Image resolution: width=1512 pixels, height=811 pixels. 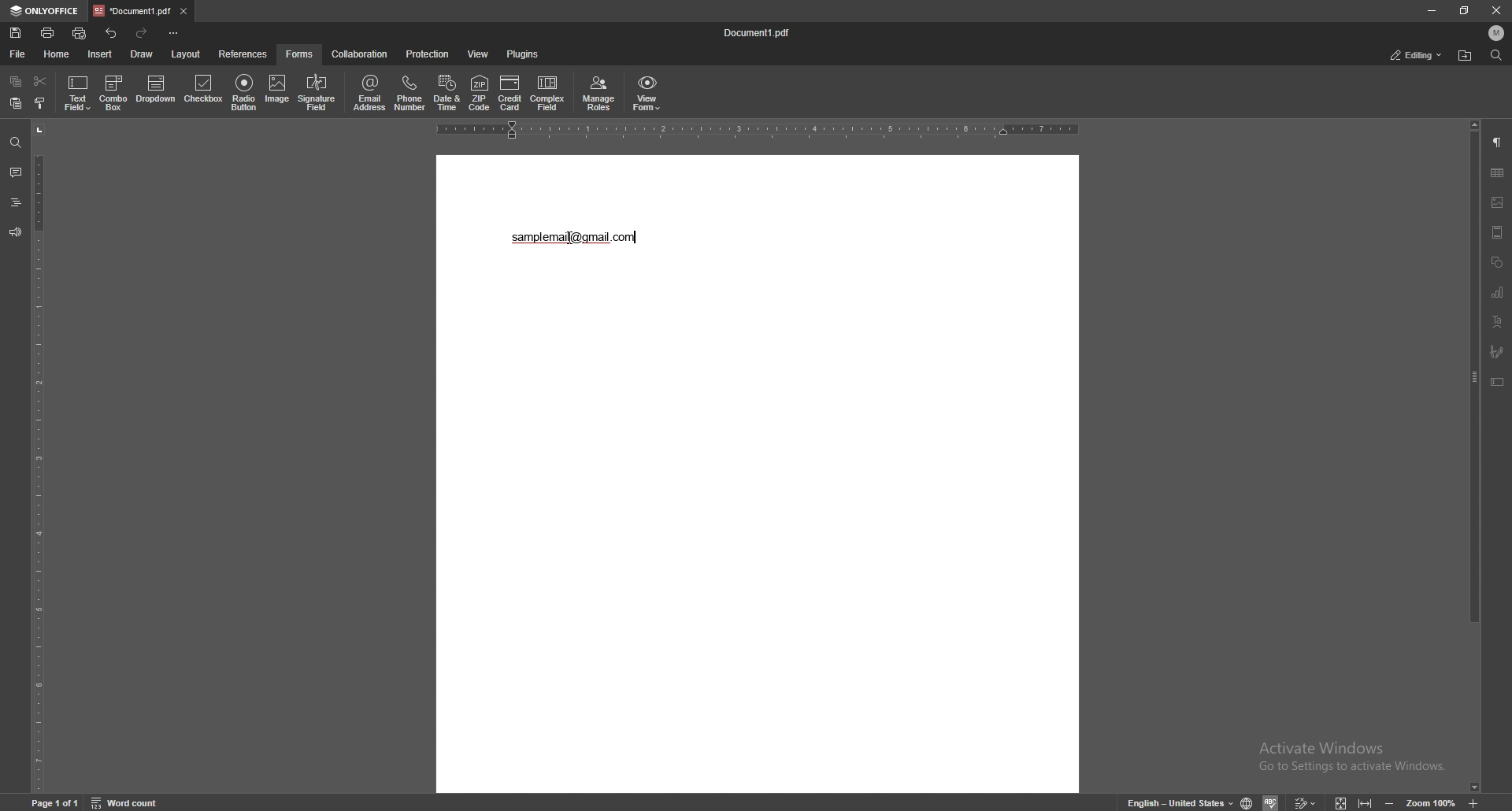 What do you see at coordinates (302, 54) in the screenshot?
I see `forms` at bounding box center [302, 54].